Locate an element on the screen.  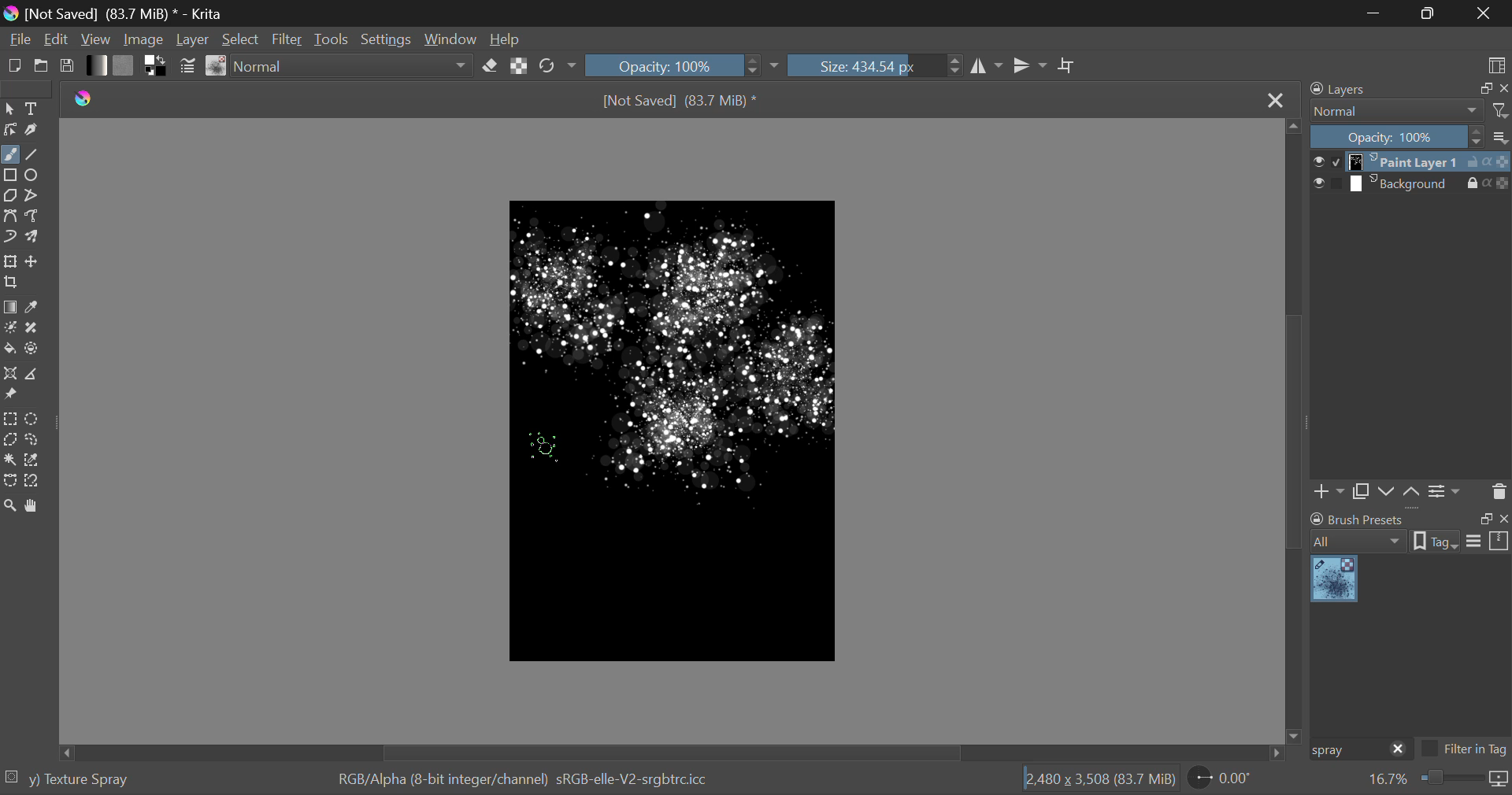
Filter in Tag is located at coordinates (1465, 751).